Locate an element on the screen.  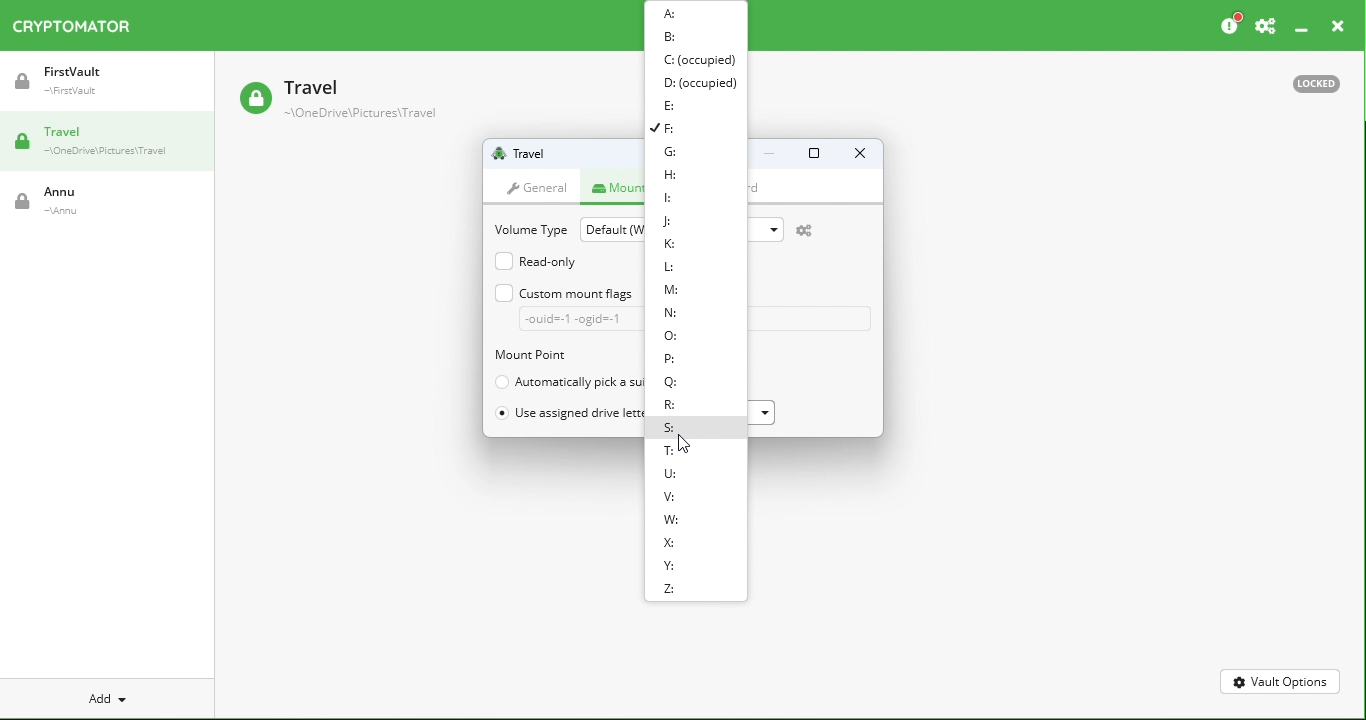
X: is located at coordinates (673, 541).